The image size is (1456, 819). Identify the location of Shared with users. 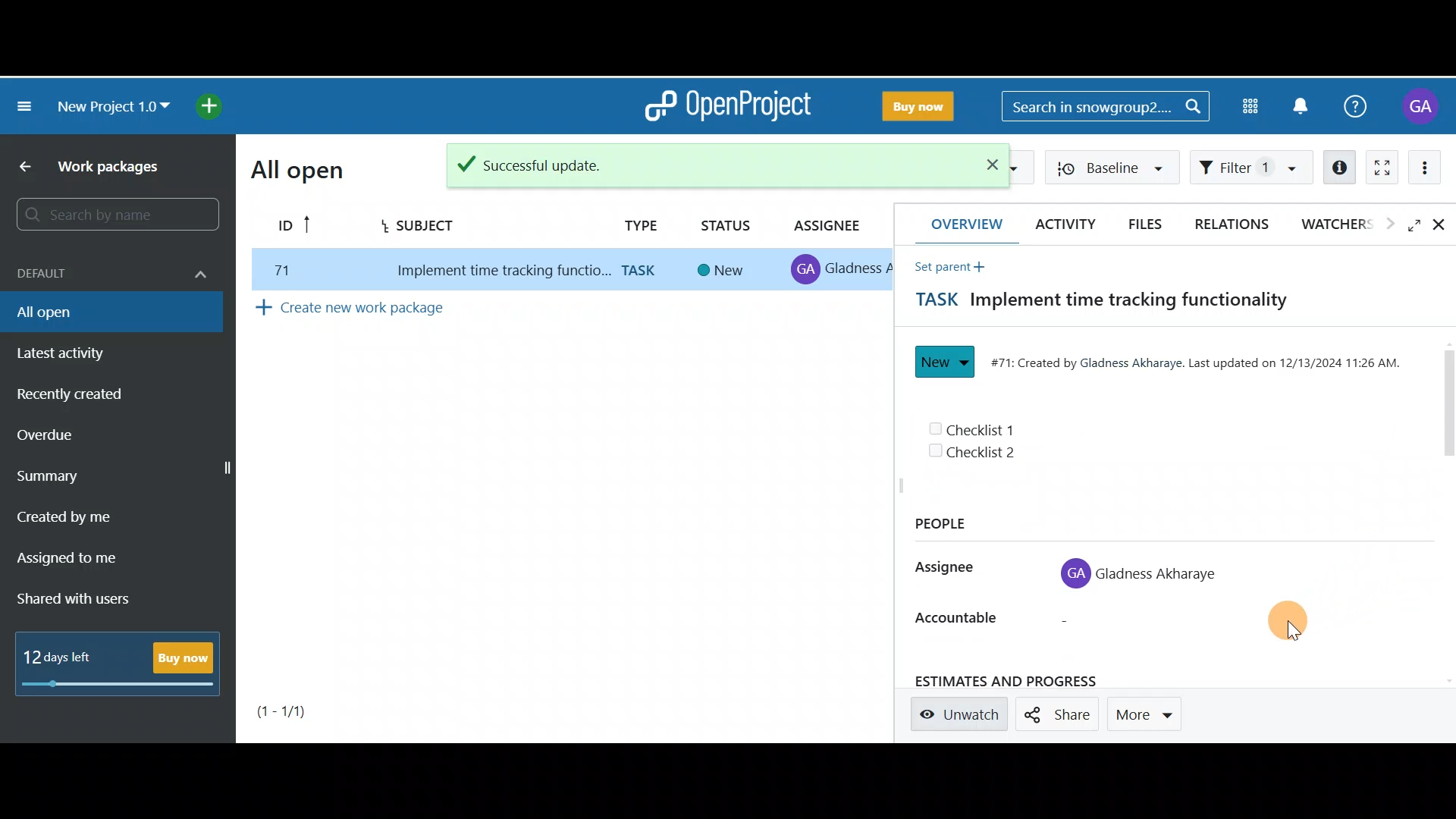
(82, 598).